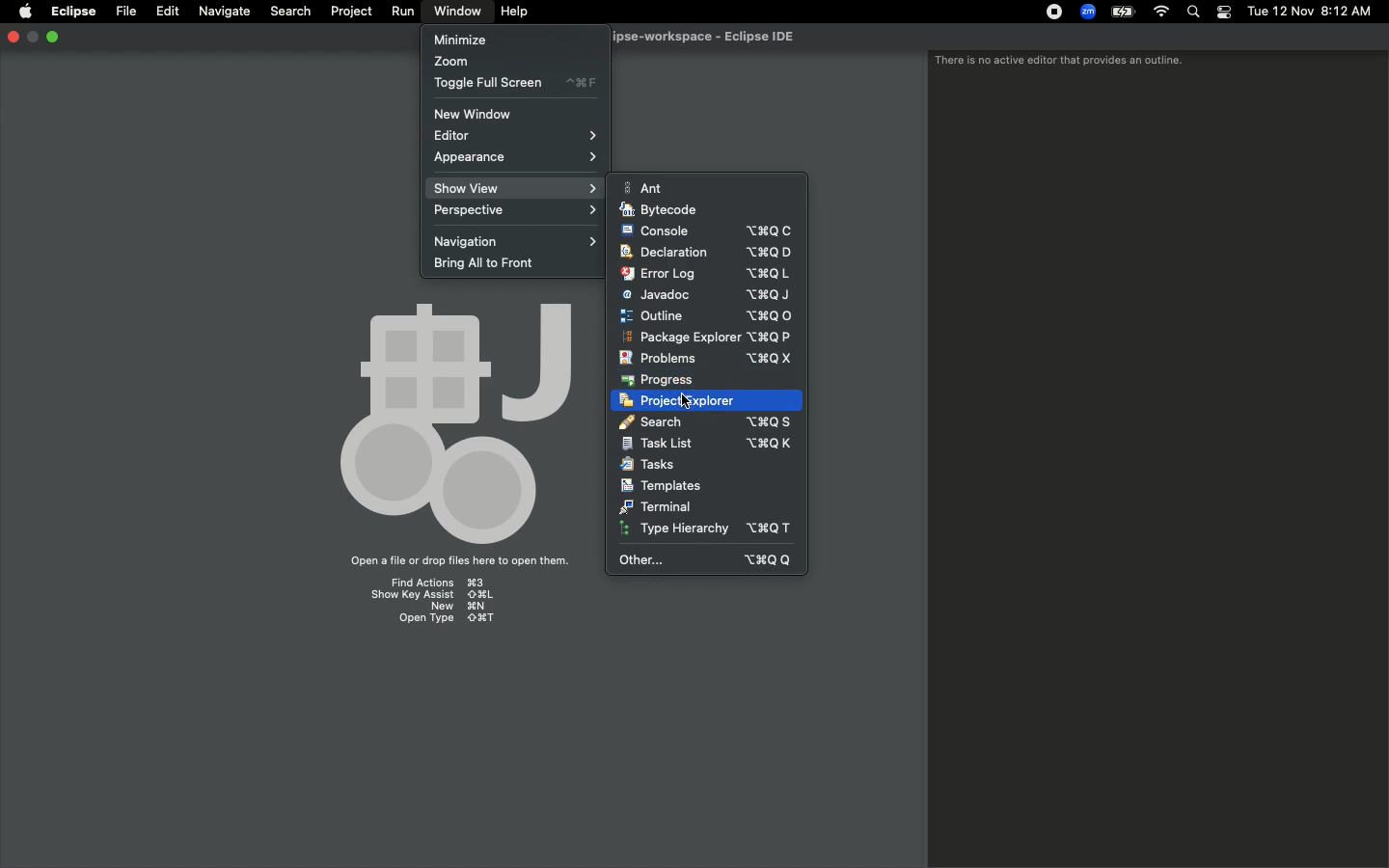 The image size is (1389, 868). Describe the element at coordinates (1059, 62) in the screenshot. I see `There is no active editor that provides an outline` at that location.